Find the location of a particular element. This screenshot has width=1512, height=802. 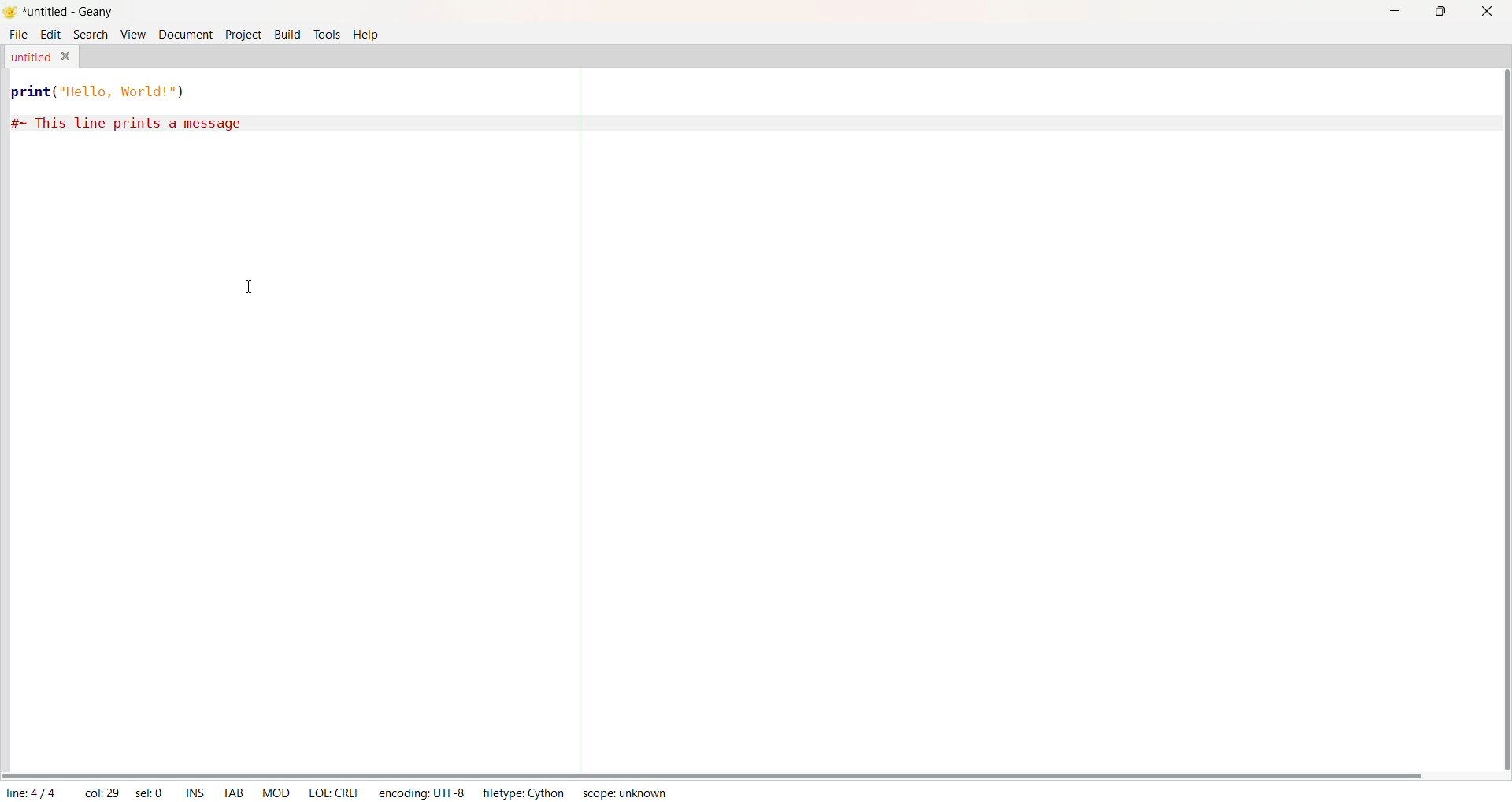

Help is located at coordinates (370, 37).